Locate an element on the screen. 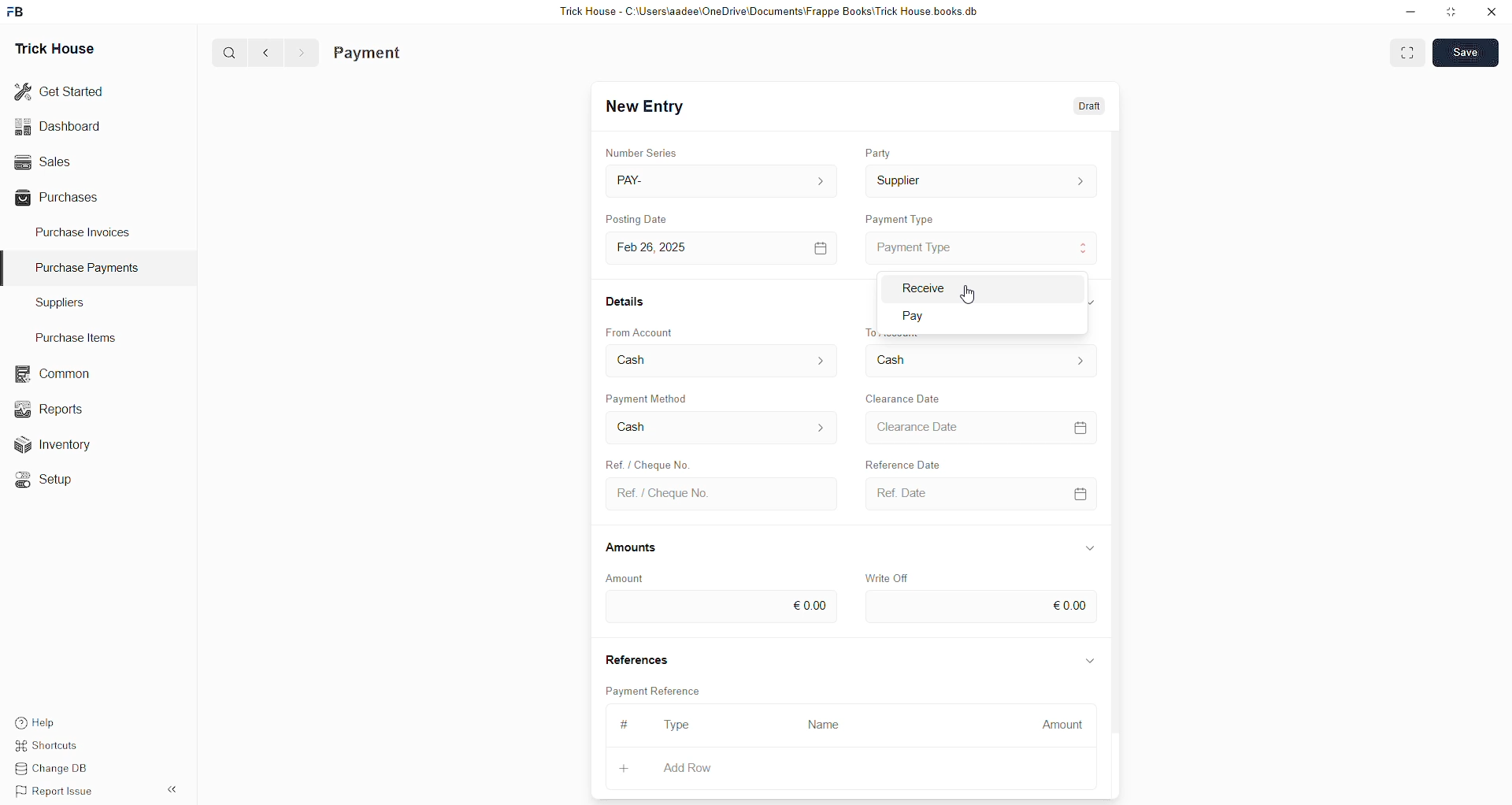 The width and height of the screenshot is (1512, 805). Shortcuts is located at coordinates (47, 746).